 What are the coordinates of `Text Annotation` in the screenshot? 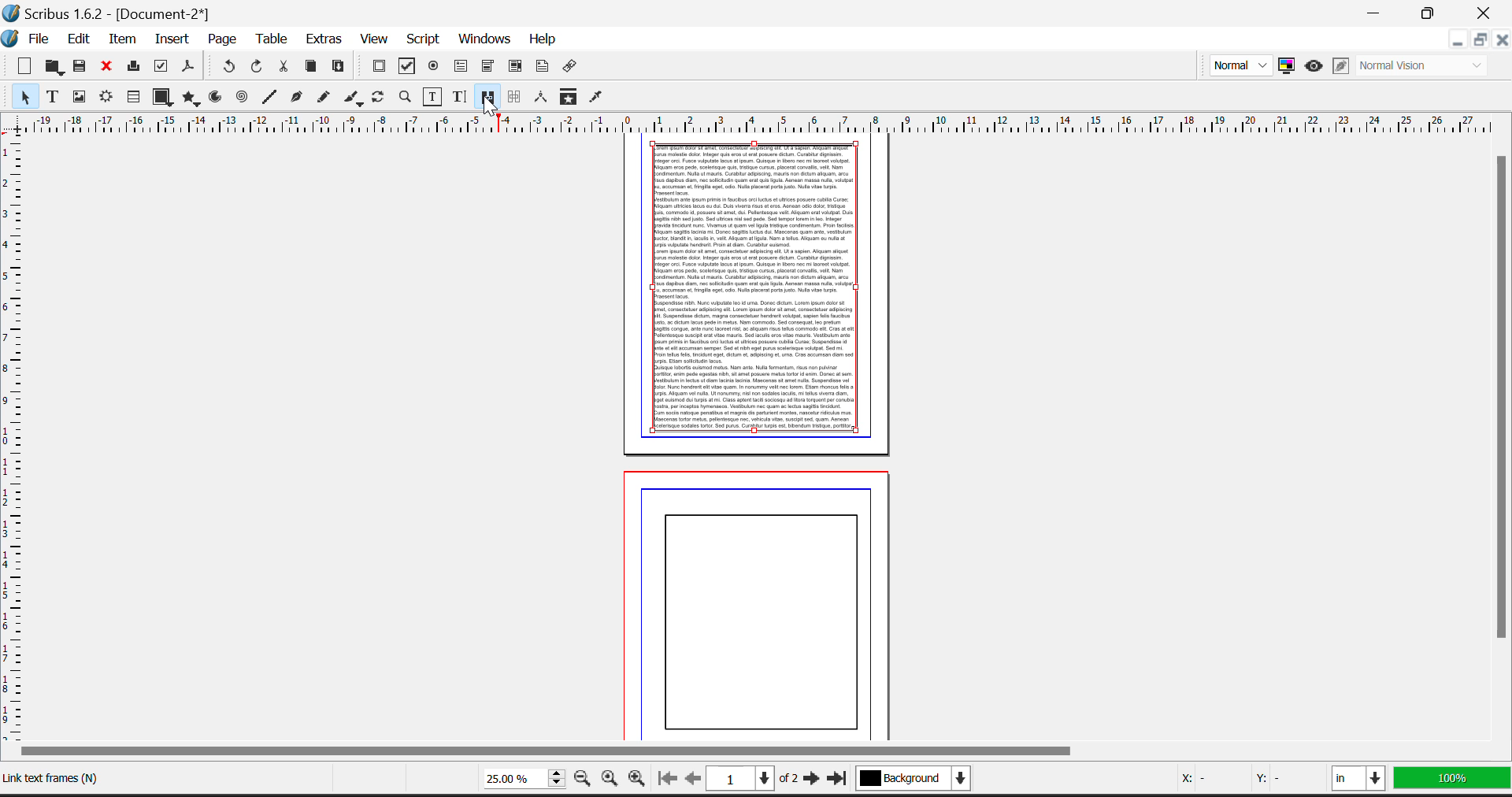 It's located at (544, 68).